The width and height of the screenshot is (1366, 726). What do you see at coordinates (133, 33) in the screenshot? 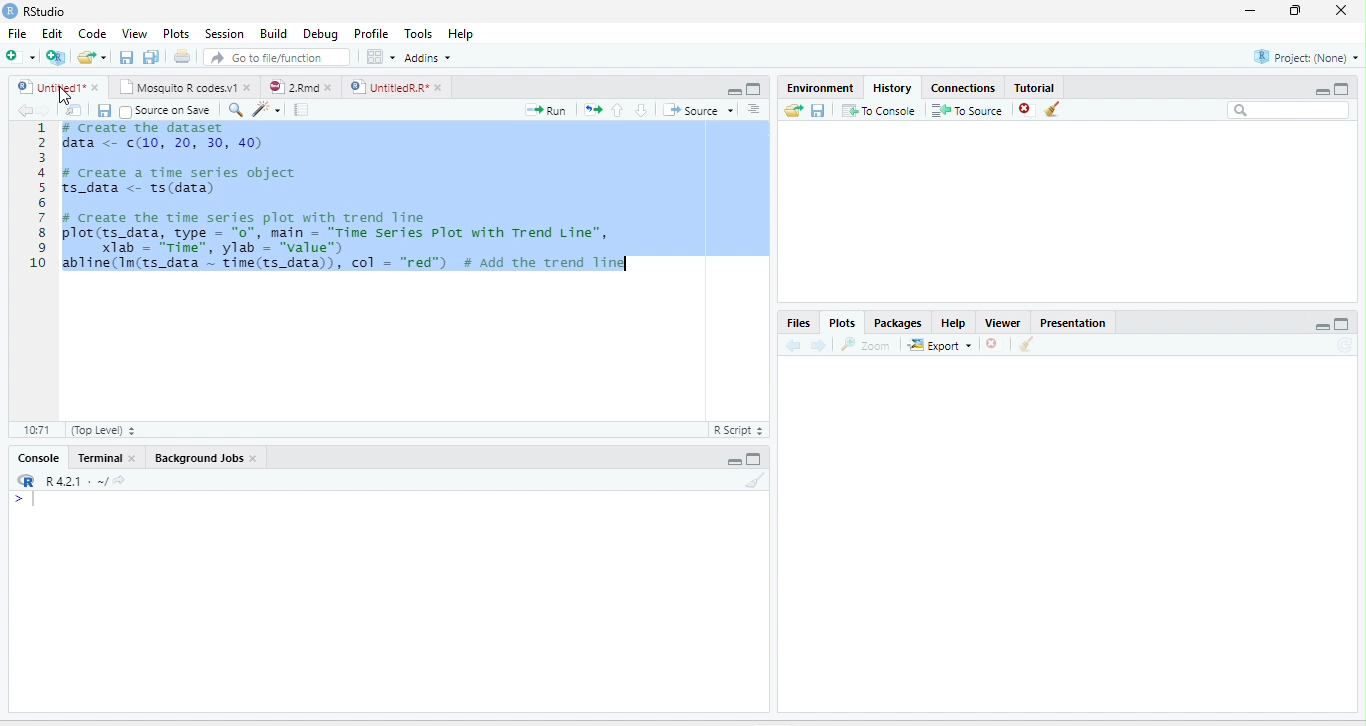
I see `View` at bounding box center [133, 33].